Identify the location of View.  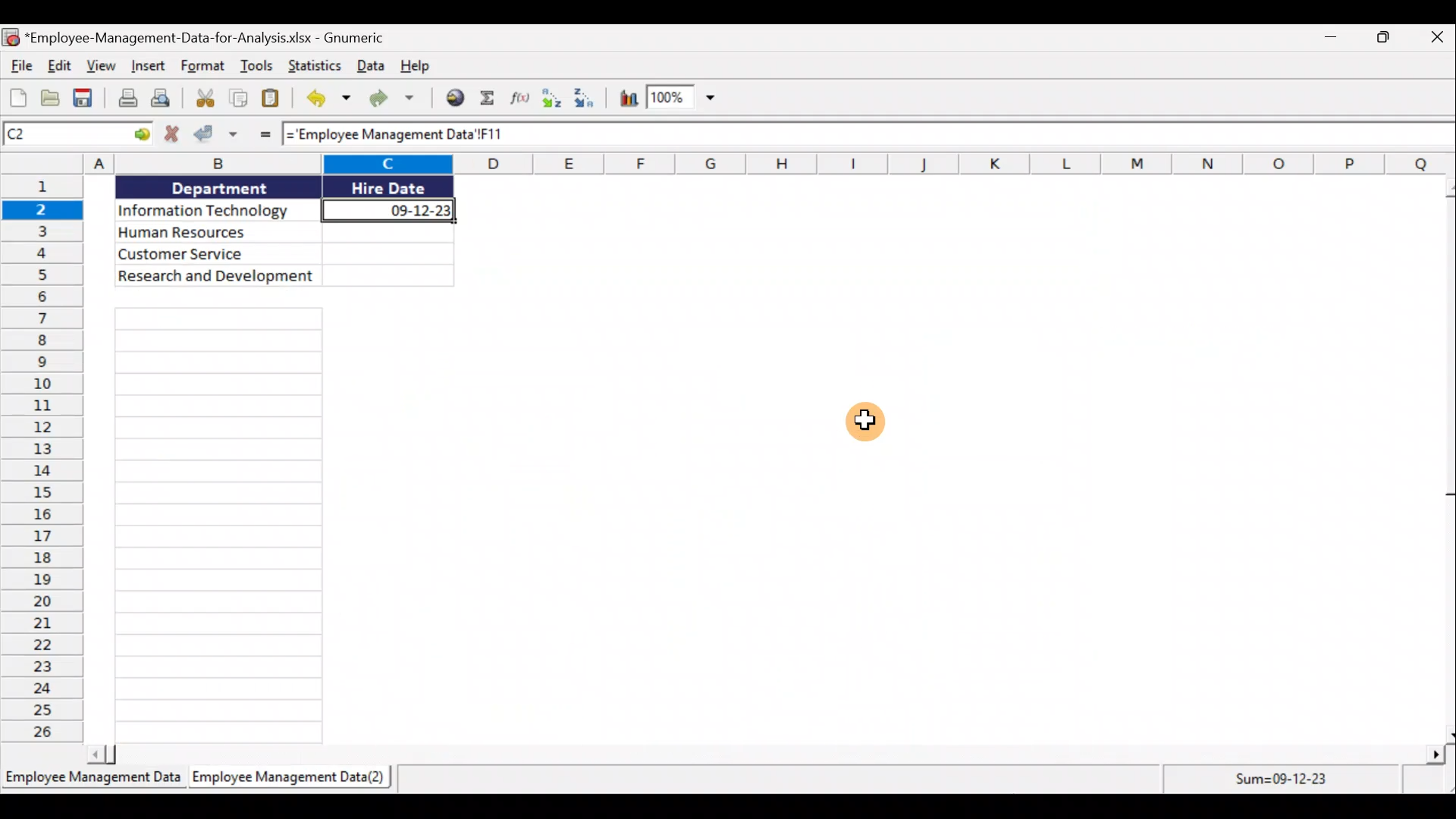
(104, 67).